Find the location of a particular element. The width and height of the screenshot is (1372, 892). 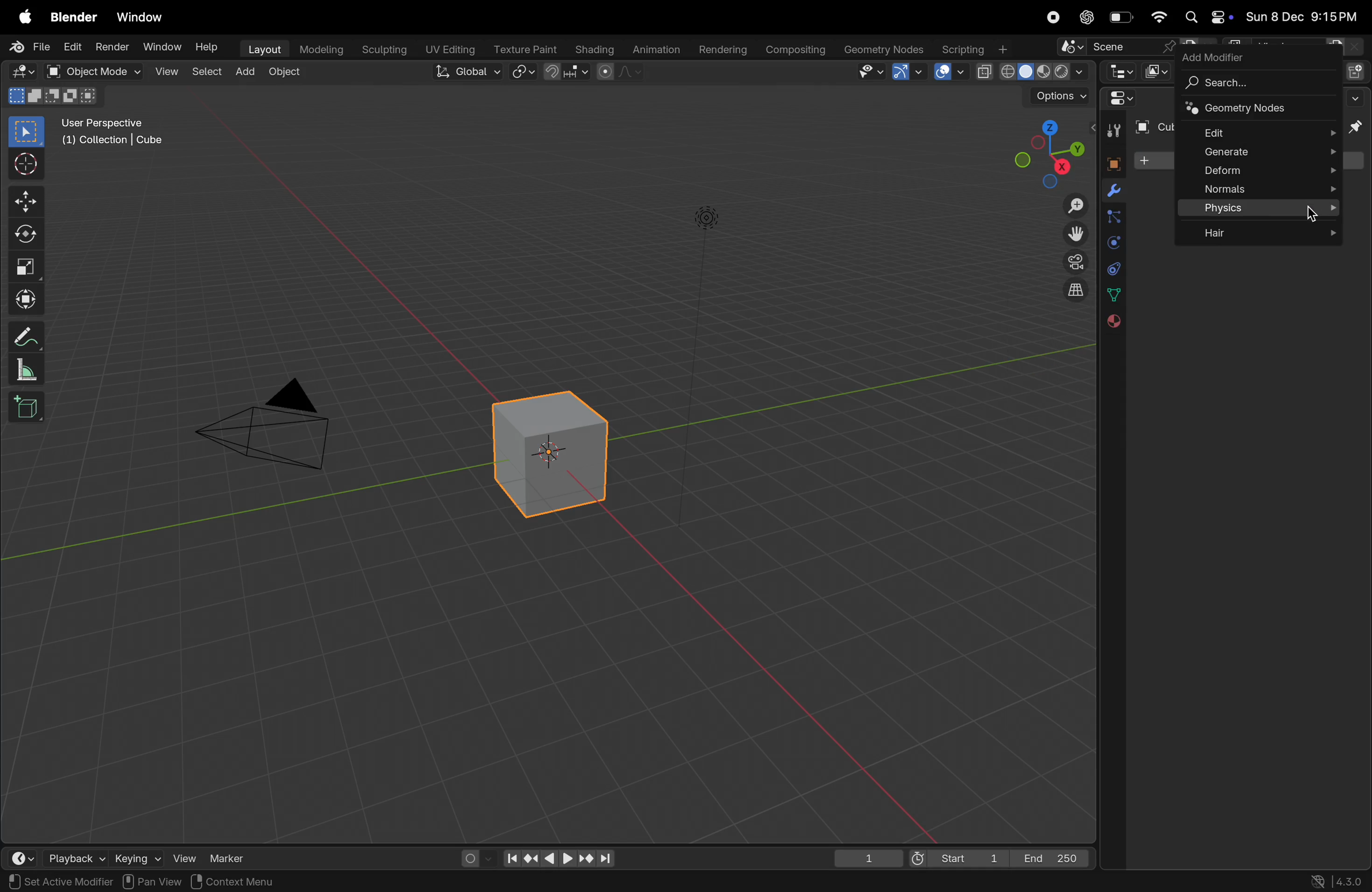

edit is located at coordinates (1262, 131).